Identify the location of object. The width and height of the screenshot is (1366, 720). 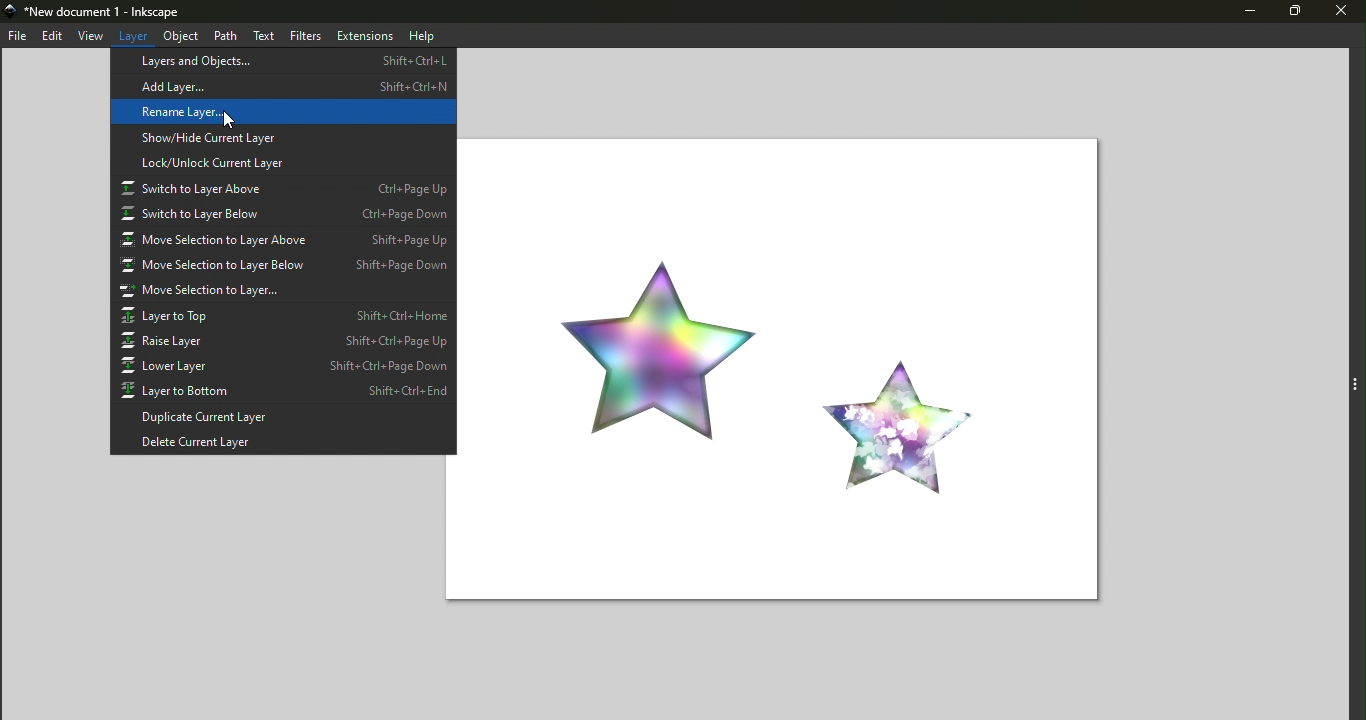
(181, 38).